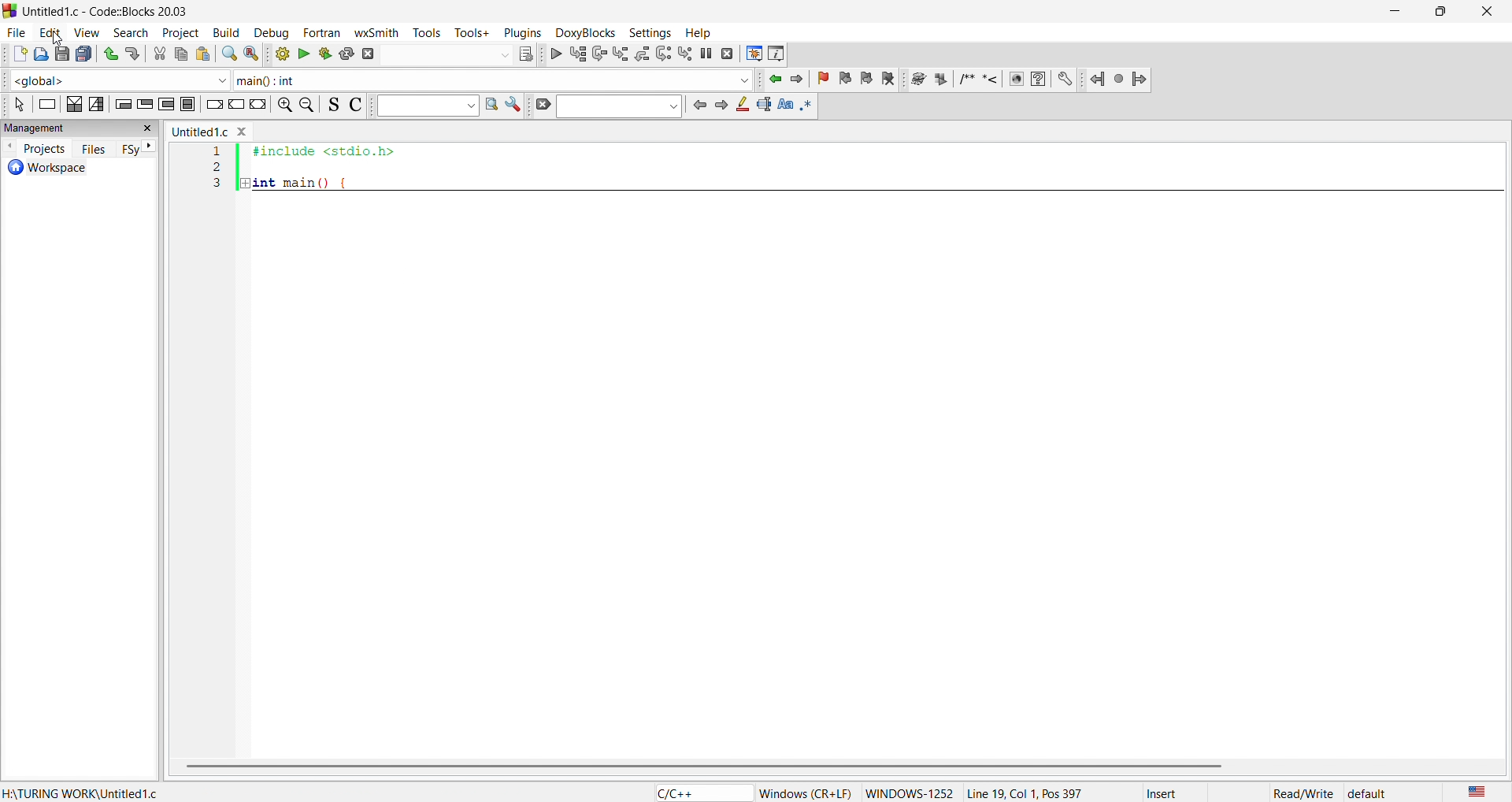 The image size is (1512, 802). Describe the element at coordinates (696, 32) in the screenshot. I see `help` at that location.